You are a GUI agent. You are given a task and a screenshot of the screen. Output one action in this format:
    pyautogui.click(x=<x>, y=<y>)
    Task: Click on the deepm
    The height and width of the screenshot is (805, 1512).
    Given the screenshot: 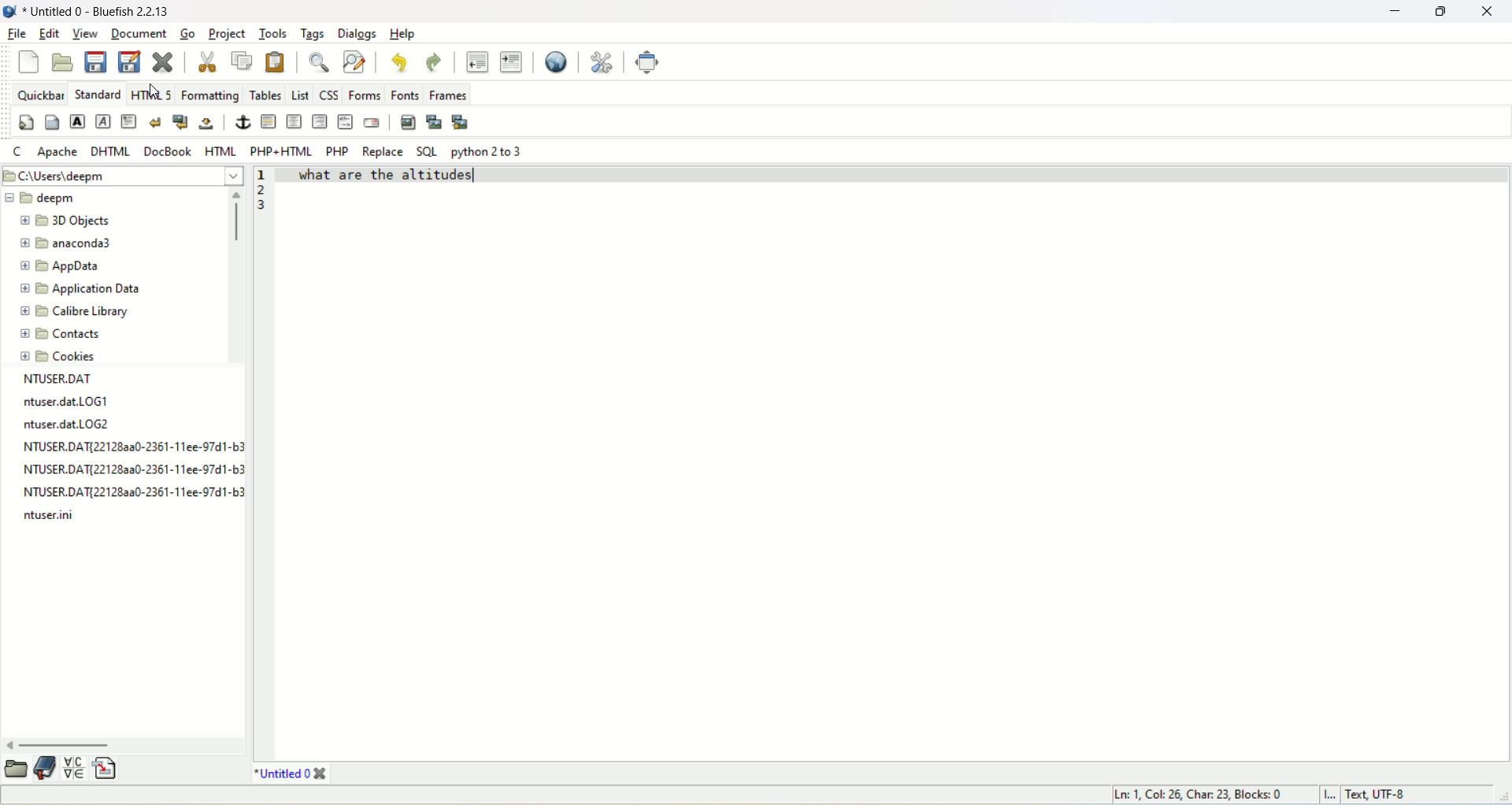 What is the action you would take?
    pyautogui.click(x=89, y=196)
    